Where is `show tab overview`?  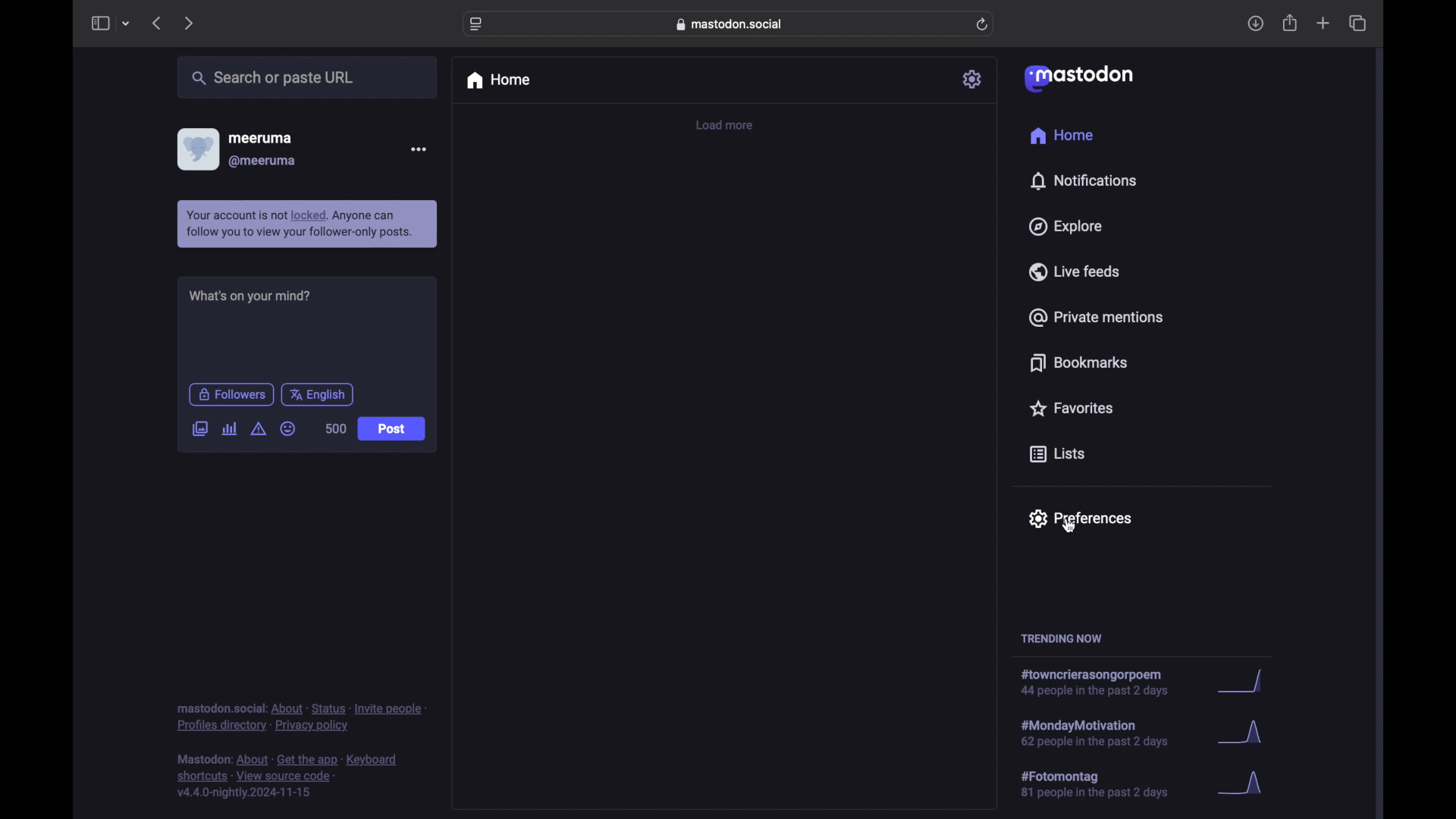
show tab overview is located at coordinates (1357, 23).